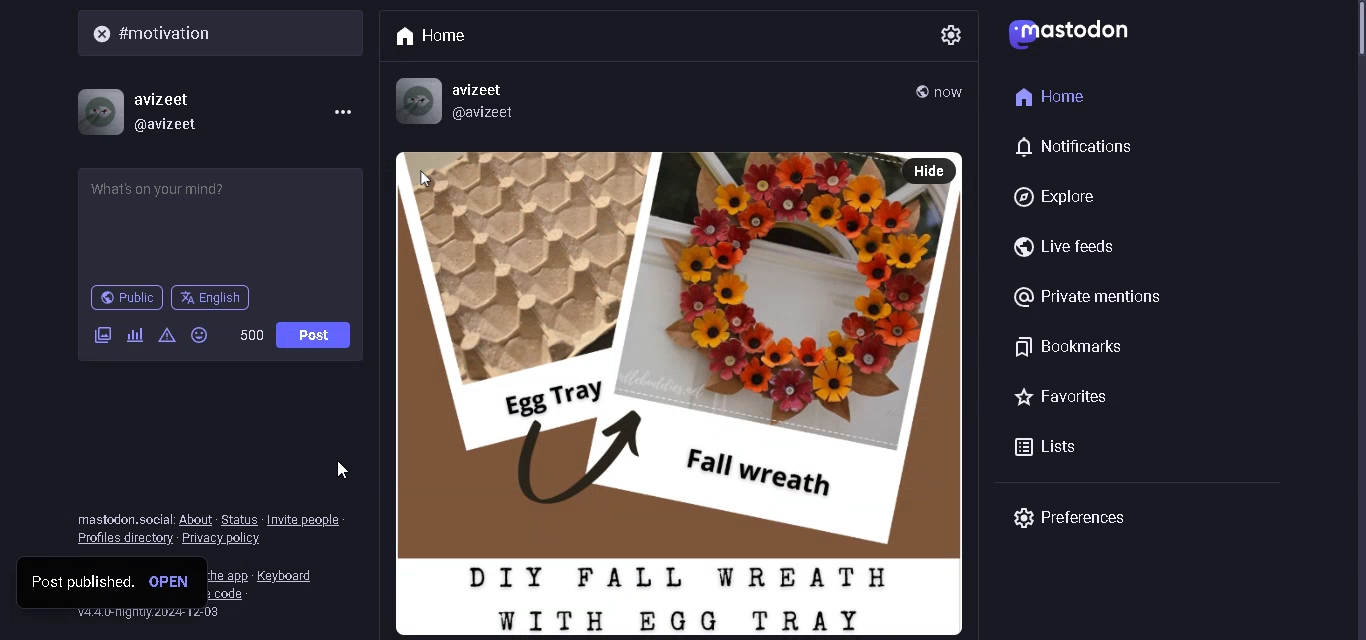 The width and height of the screenshot is (1366, 640). What do you see at coordinates (195, 519) in the screenshot?
I see `about` at bounding box center [195, 519].